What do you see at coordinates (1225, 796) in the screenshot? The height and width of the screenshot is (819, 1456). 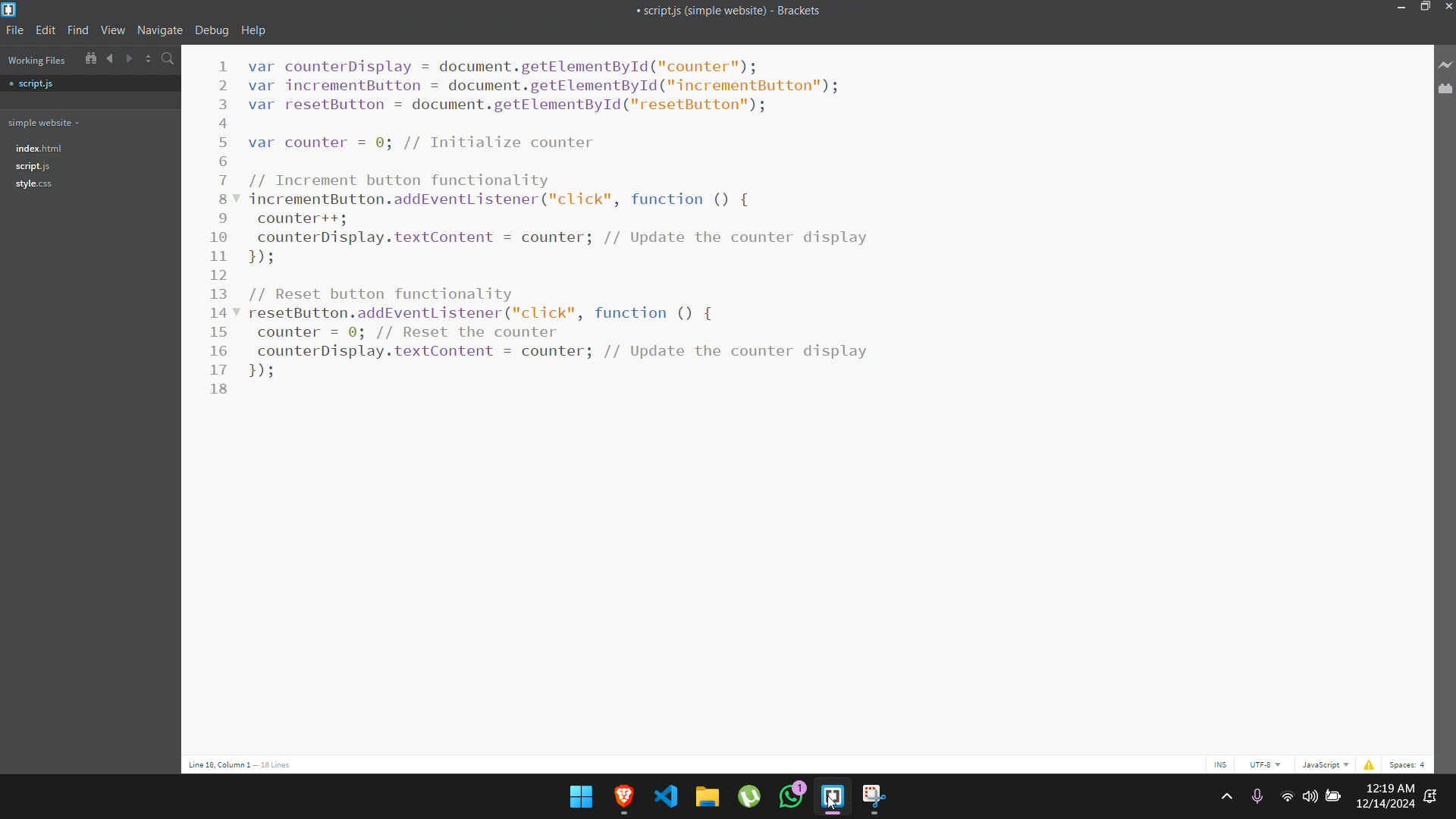 I see `show hidden icons` at bounding box center [1225, 796].